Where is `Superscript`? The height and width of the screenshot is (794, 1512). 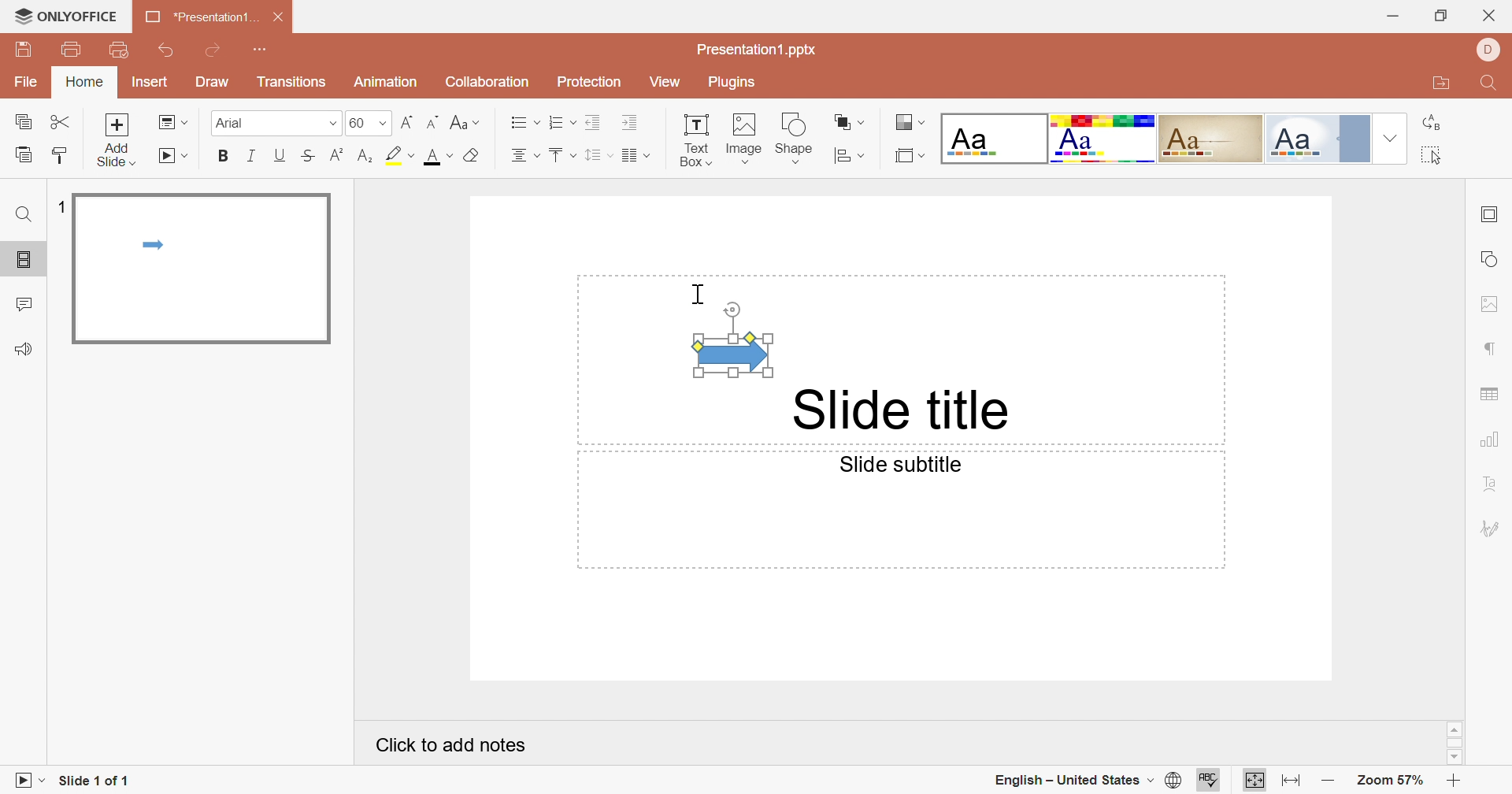
Superscript is located at coordinates (339, 154).